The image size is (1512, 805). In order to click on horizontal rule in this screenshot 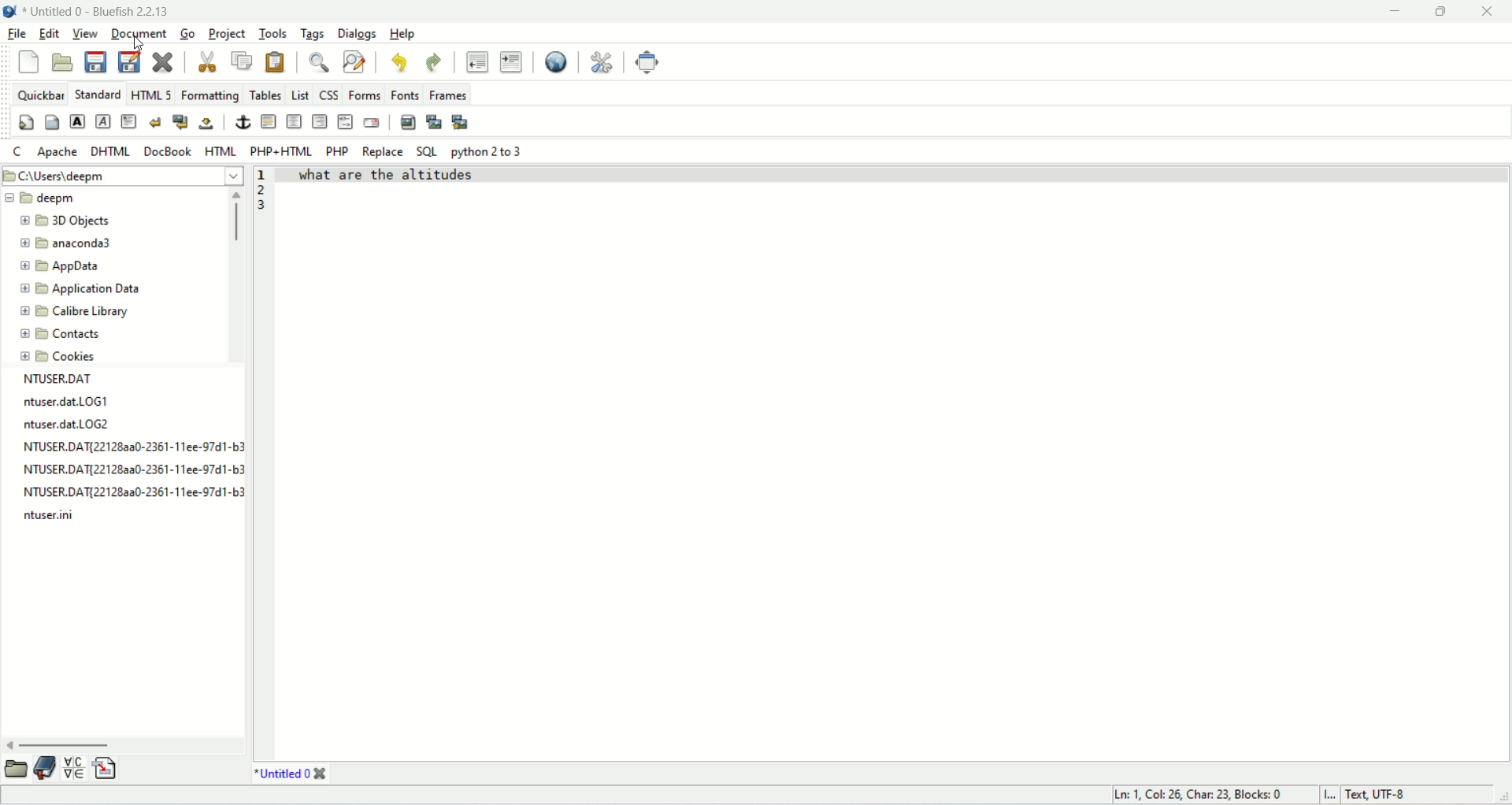, I will do `click(268, 122)`.